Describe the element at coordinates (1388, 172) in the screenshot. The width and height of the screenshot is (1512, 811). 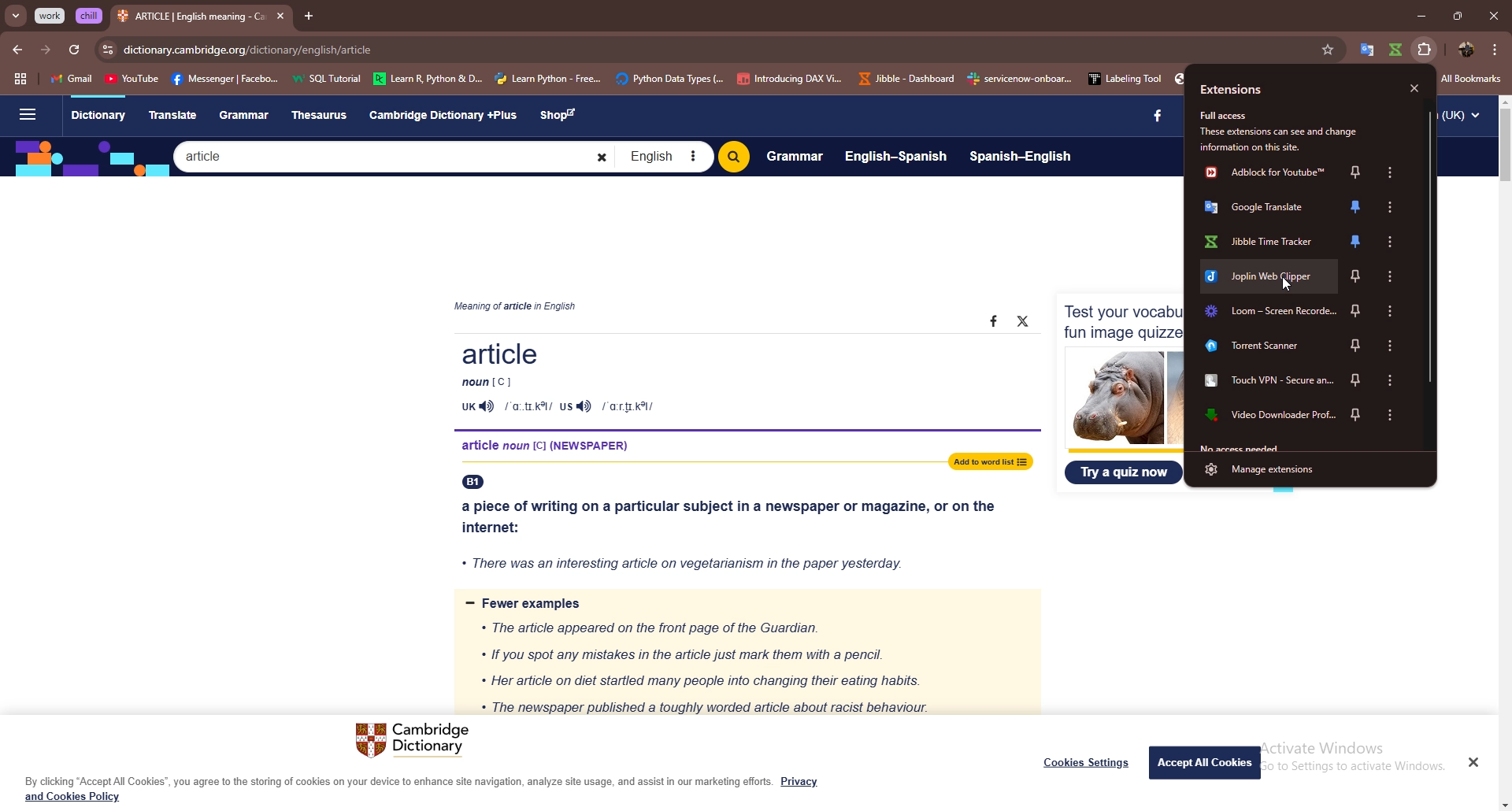
I see `options` at that location.